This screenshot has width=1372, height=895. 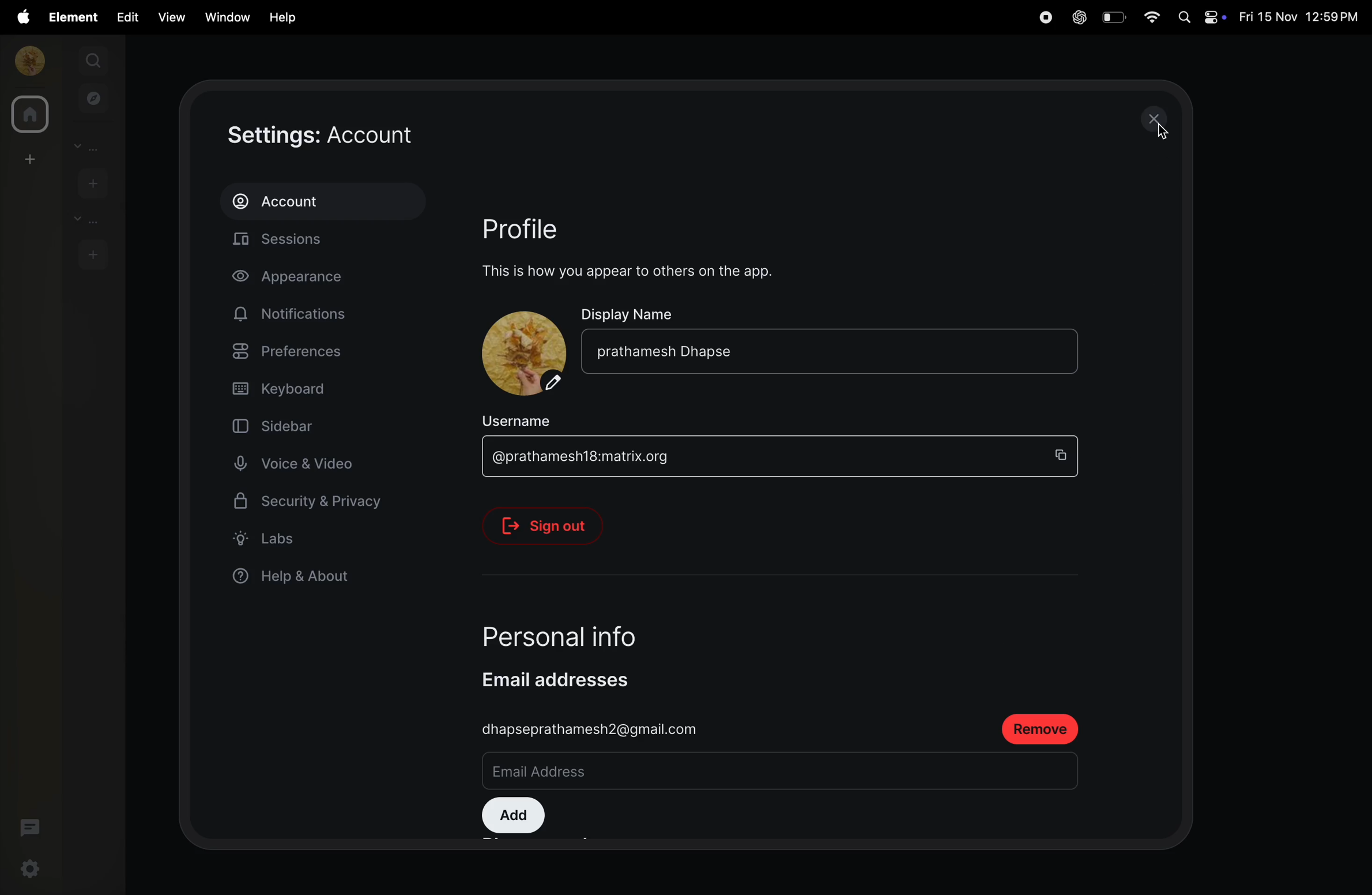 What do you see at coordinates (1175, 340) in the screenshot?
I see `scrollbar` at bounding box center [1175, 340].